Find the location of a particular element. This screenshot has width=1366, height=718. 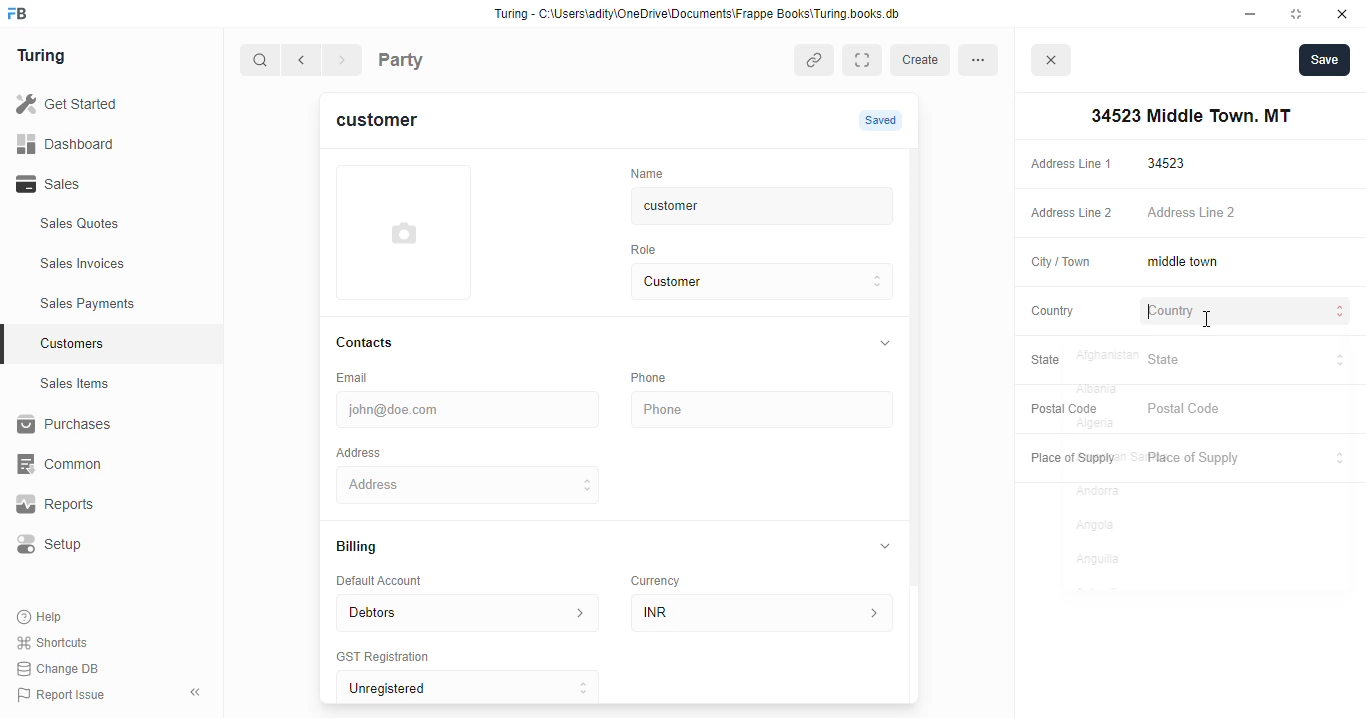

INR is located at coordinates (766, 612).